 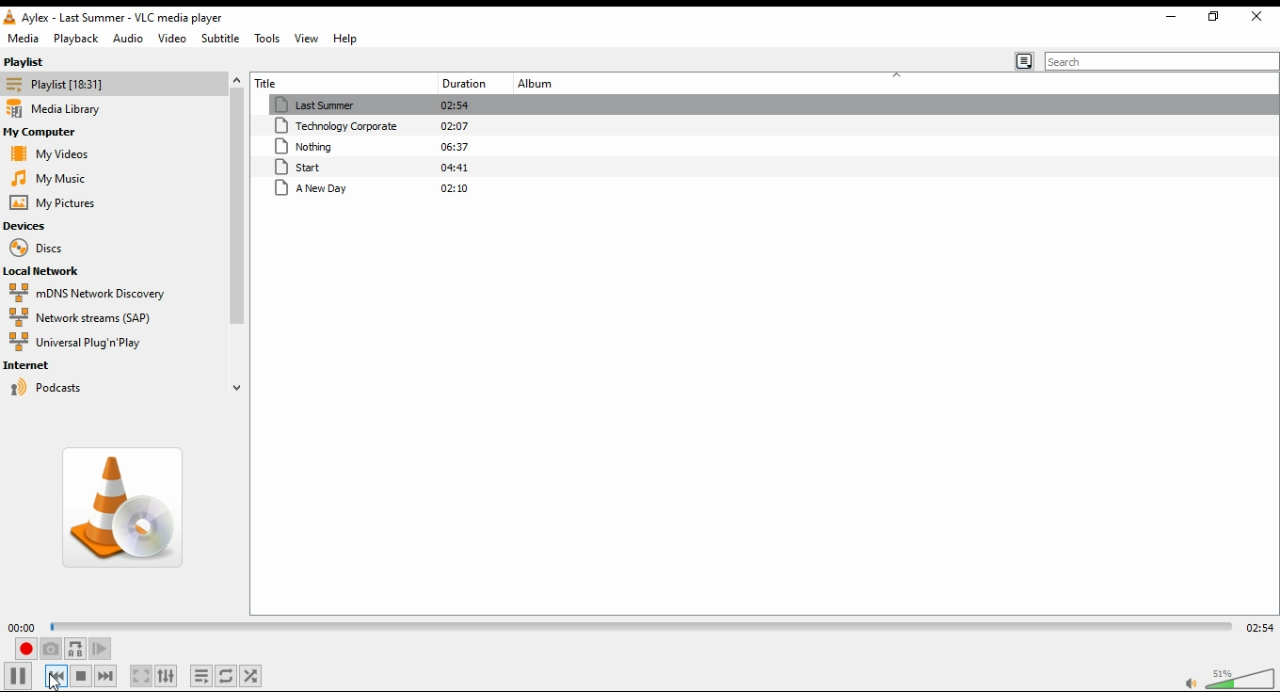 I want to click on previous media in the playlist, skip backward when held., so click(x=56, y=675).